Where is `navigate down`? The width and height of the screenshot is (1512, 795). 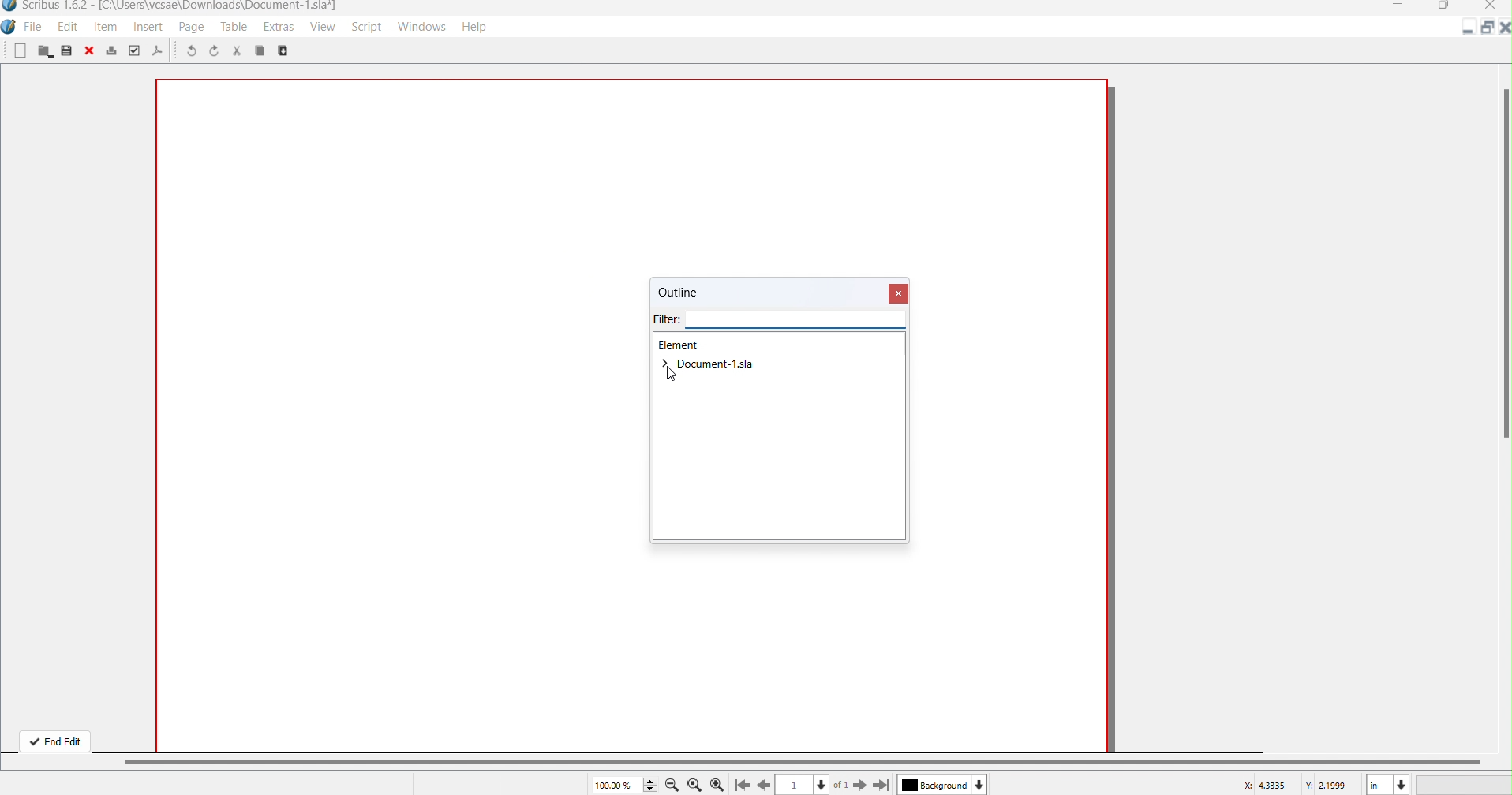
navigate down is located at coordinates (823, 782).